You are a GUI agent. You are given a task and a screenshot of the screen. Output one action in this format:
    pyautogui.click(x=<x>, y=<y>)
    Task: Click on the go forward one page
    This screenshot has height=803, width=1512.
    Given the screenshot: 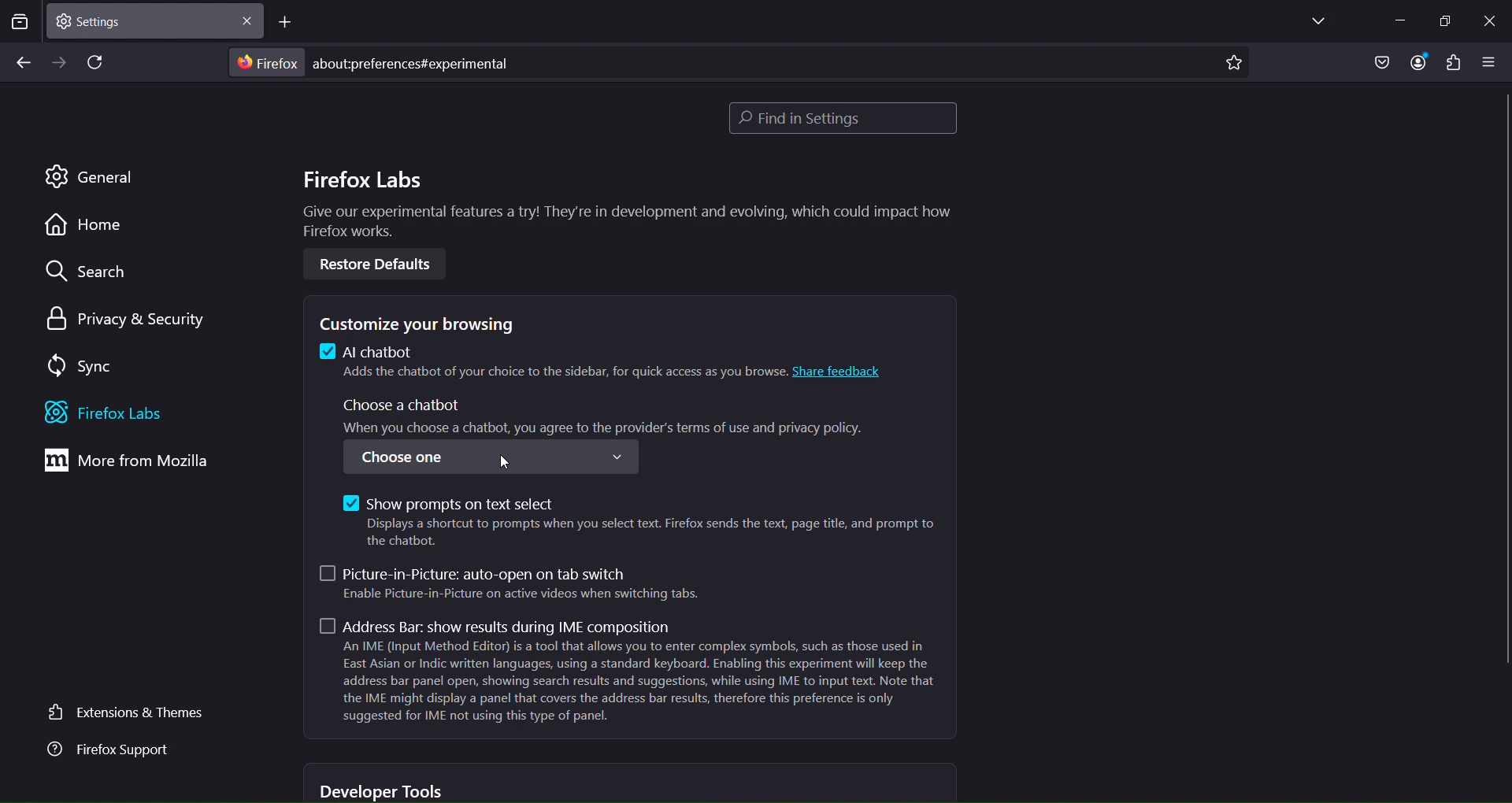 What is the action you would take?
    pyautogui.click(x=61, y=62)
    